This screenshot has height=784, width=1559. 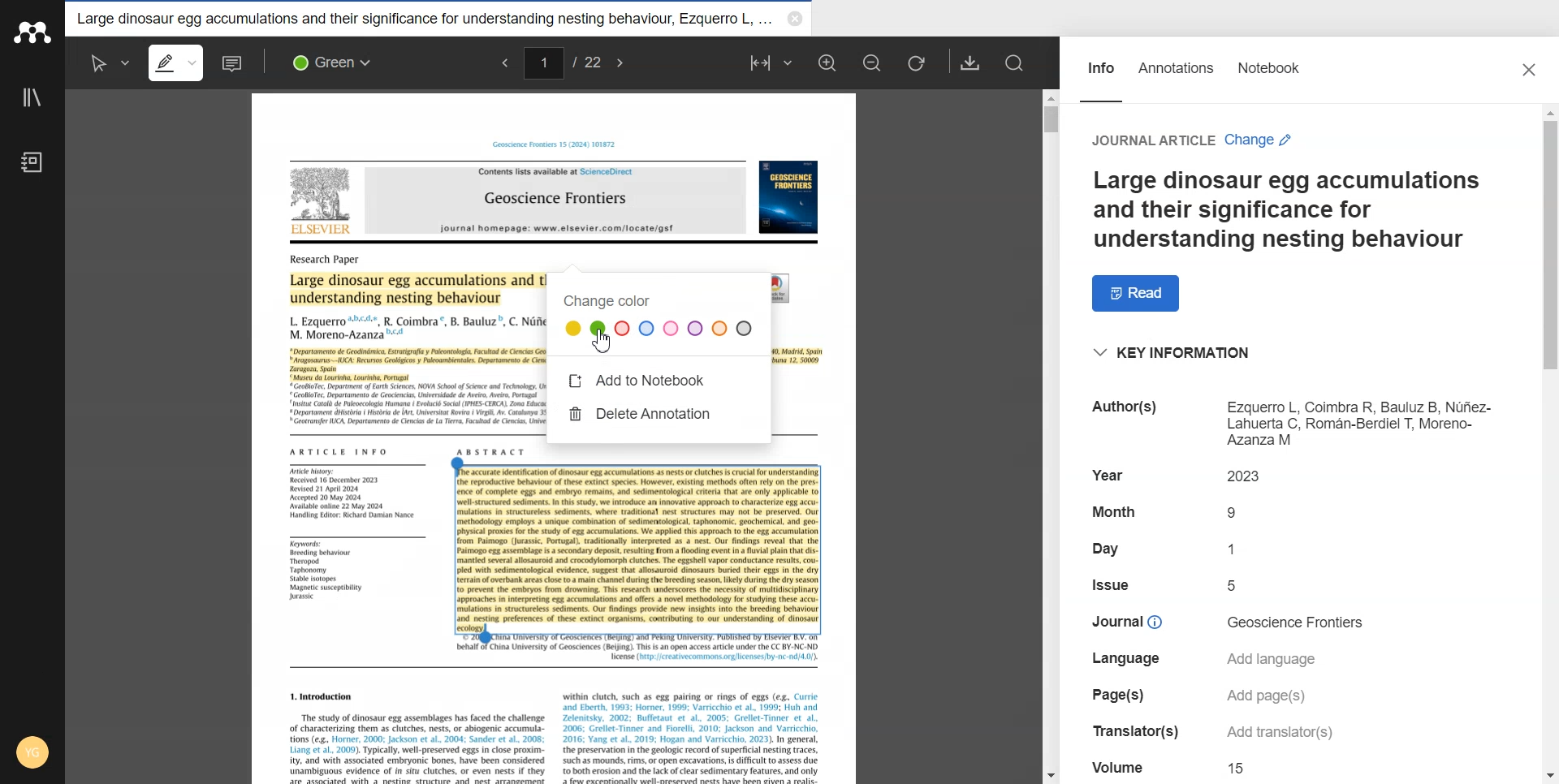 What do you see at coordinates (917, 63) in the screenshot?
I see `Rotate page` at bounding box center [917, 63].